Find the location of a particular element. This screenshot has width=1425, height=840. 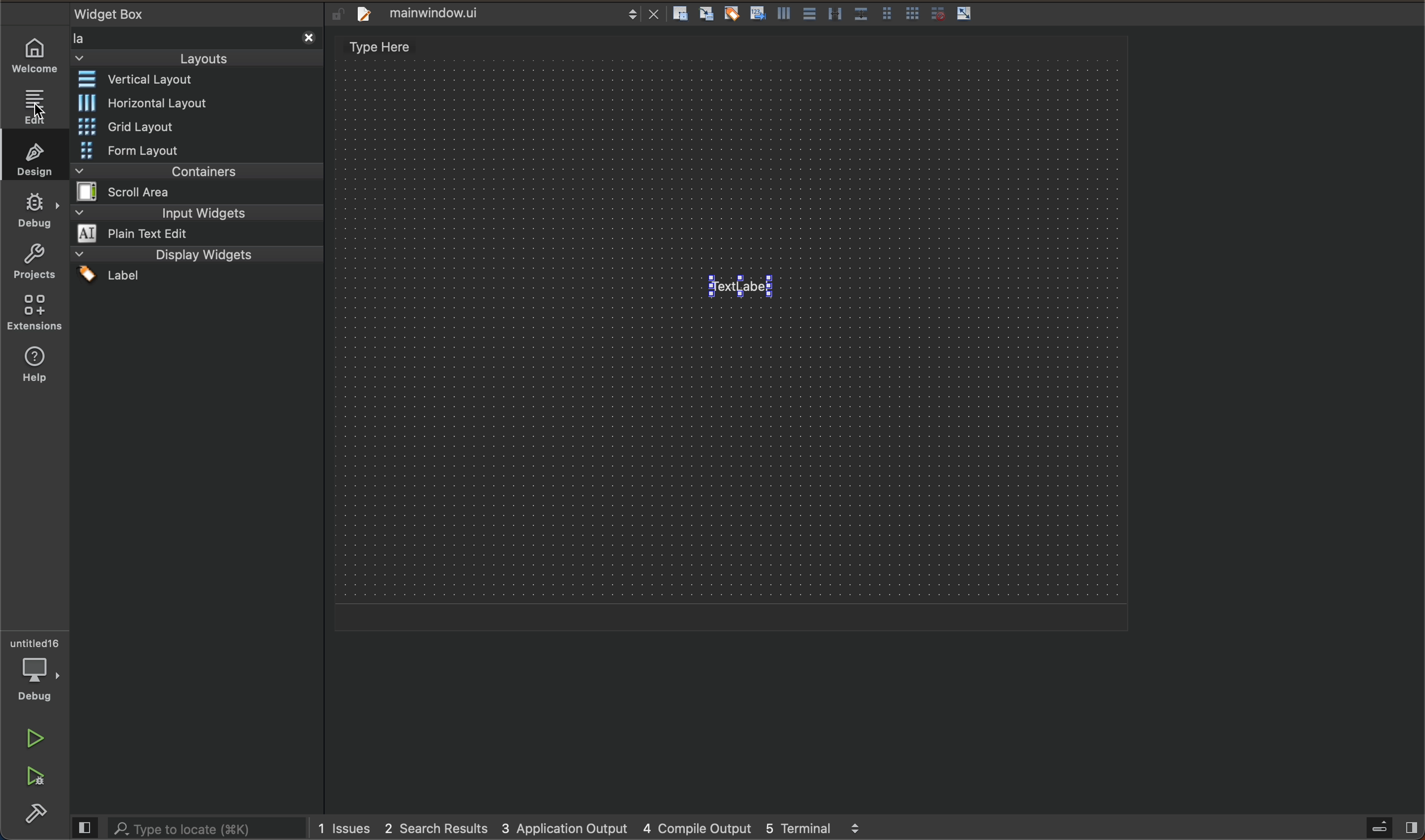

grid layout is located at coordinates (131, 127).